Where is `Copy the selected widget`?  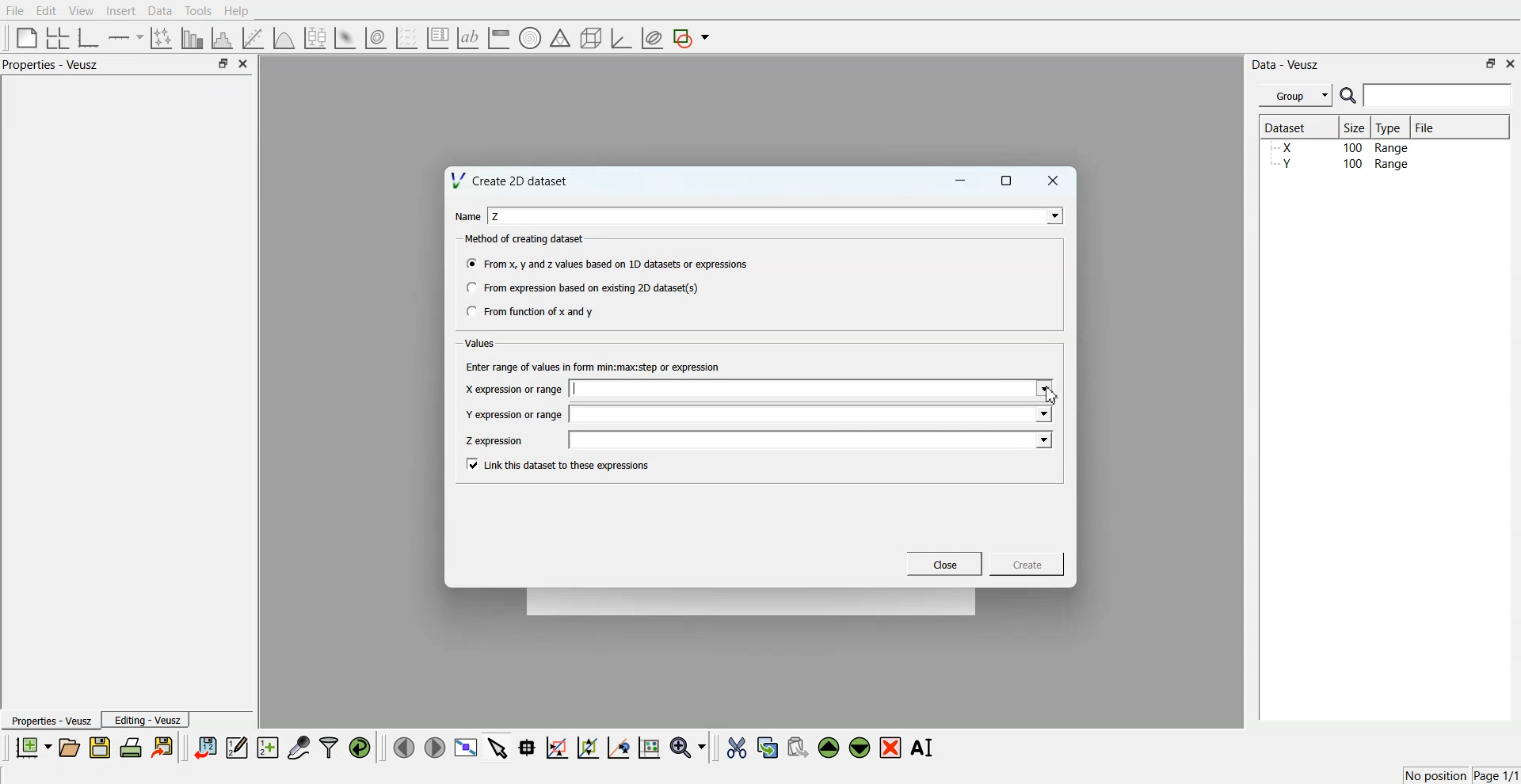 Copy the selected widget is located at coordinates (768, 747).